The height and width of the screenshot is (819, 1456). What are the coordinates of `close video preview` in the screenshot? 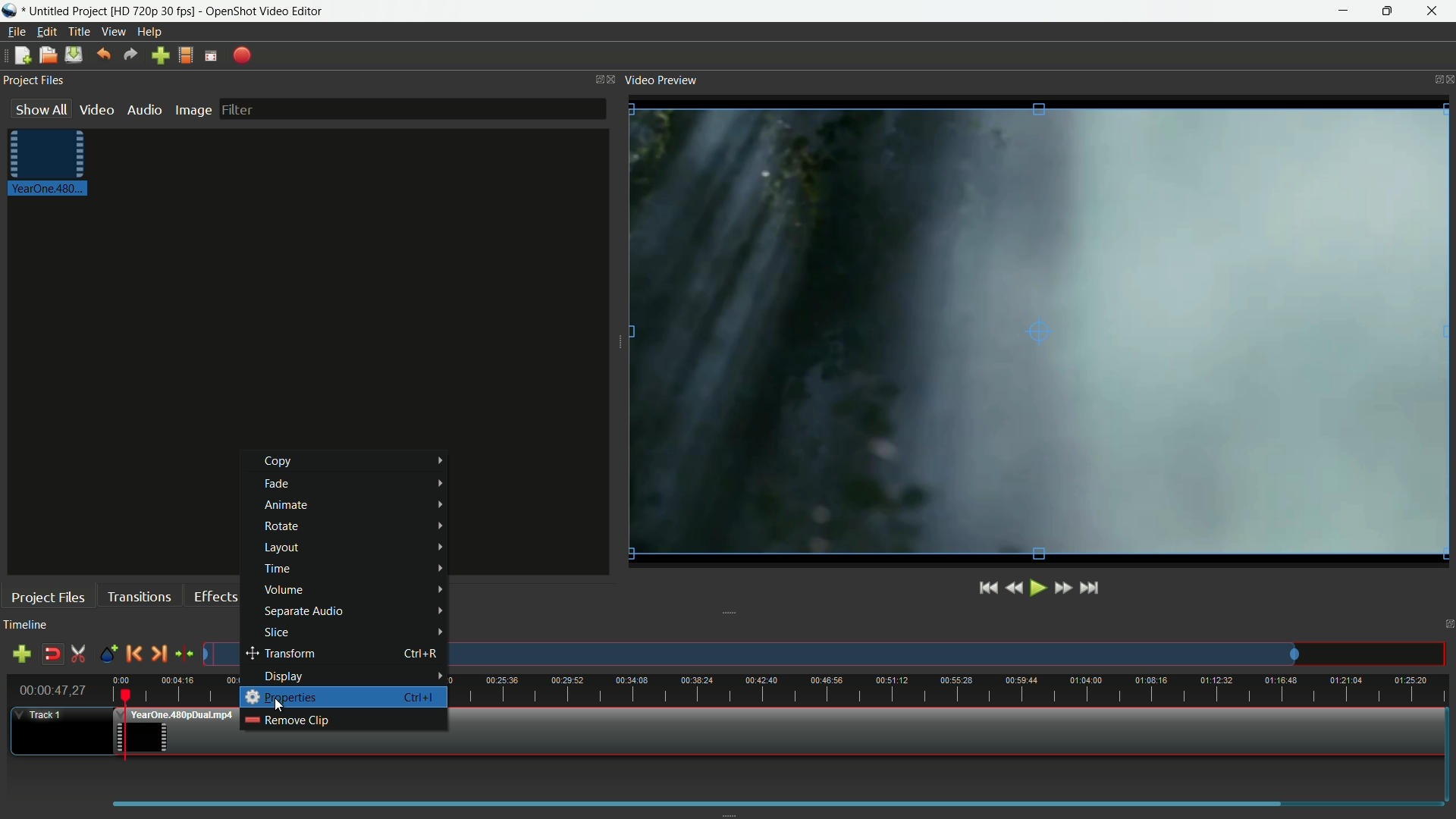 It's located at (1447, 77).